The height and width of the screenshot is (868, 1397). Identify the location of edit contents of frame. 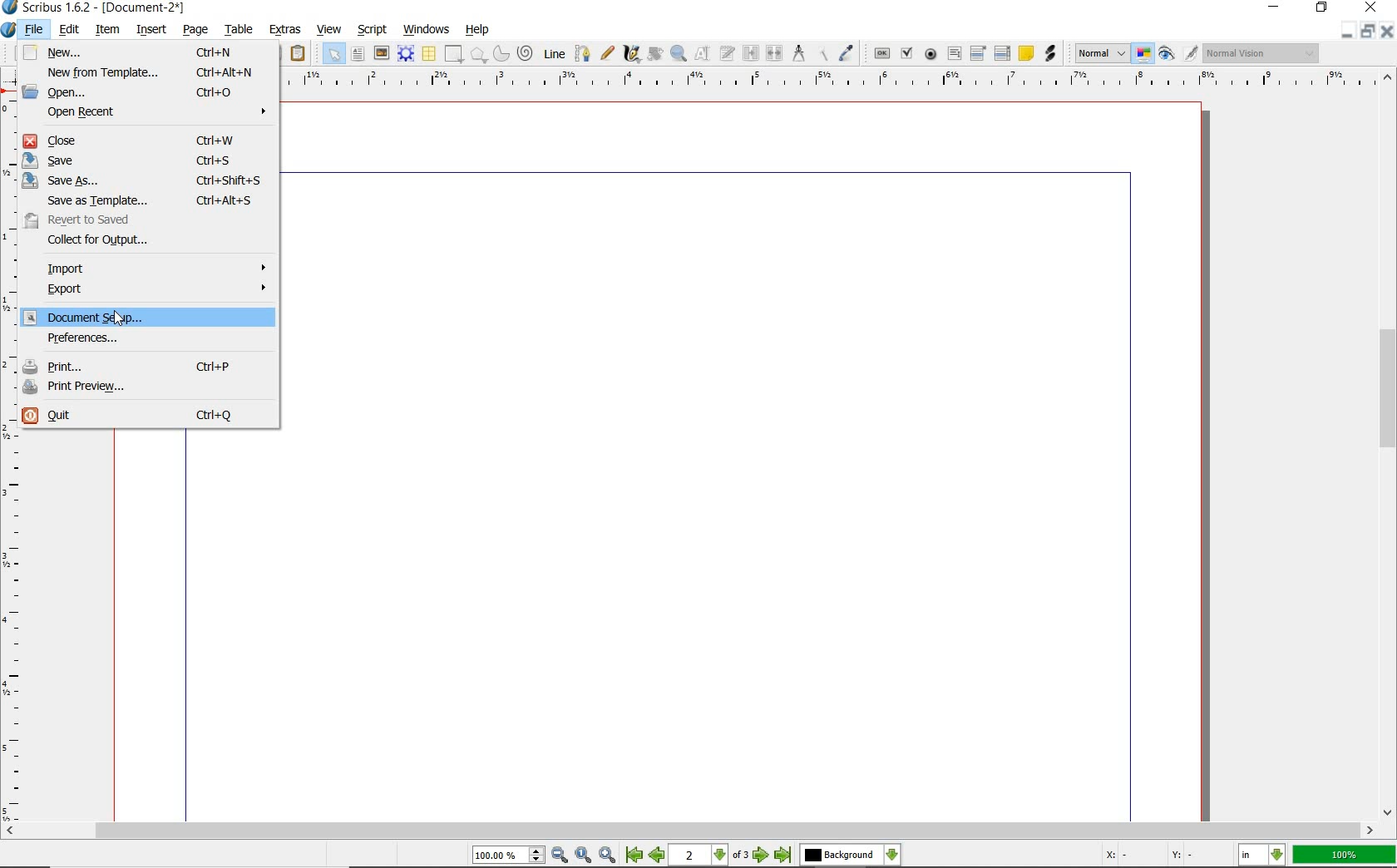
(704, 54).